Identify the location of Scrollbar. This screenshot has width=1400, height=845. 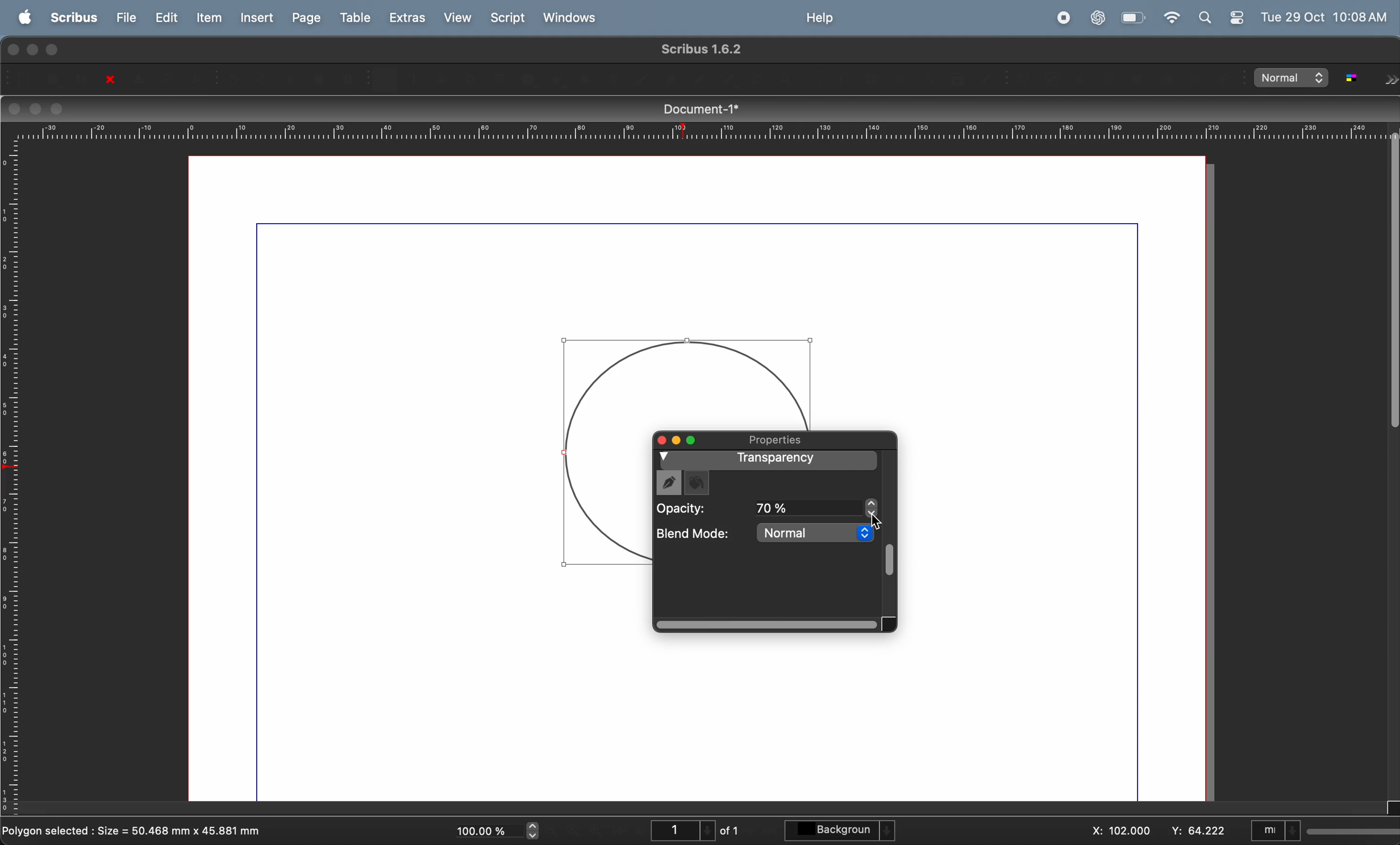
(768, 625).